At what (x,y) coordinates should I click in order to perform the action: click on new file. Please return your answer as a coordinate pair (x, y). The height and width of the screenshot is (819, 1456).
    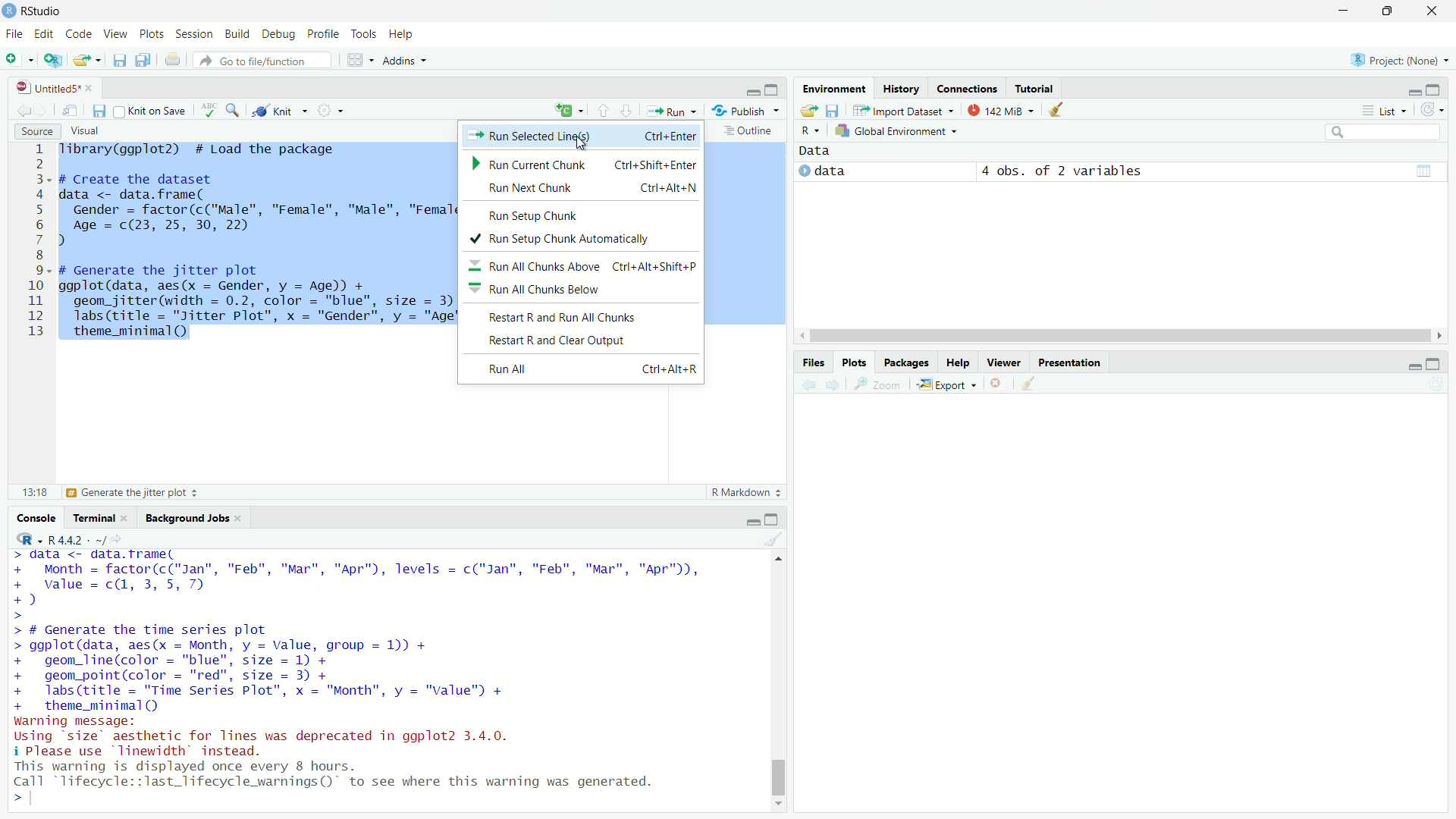
    Looking at the image, I should click on (18, 58).